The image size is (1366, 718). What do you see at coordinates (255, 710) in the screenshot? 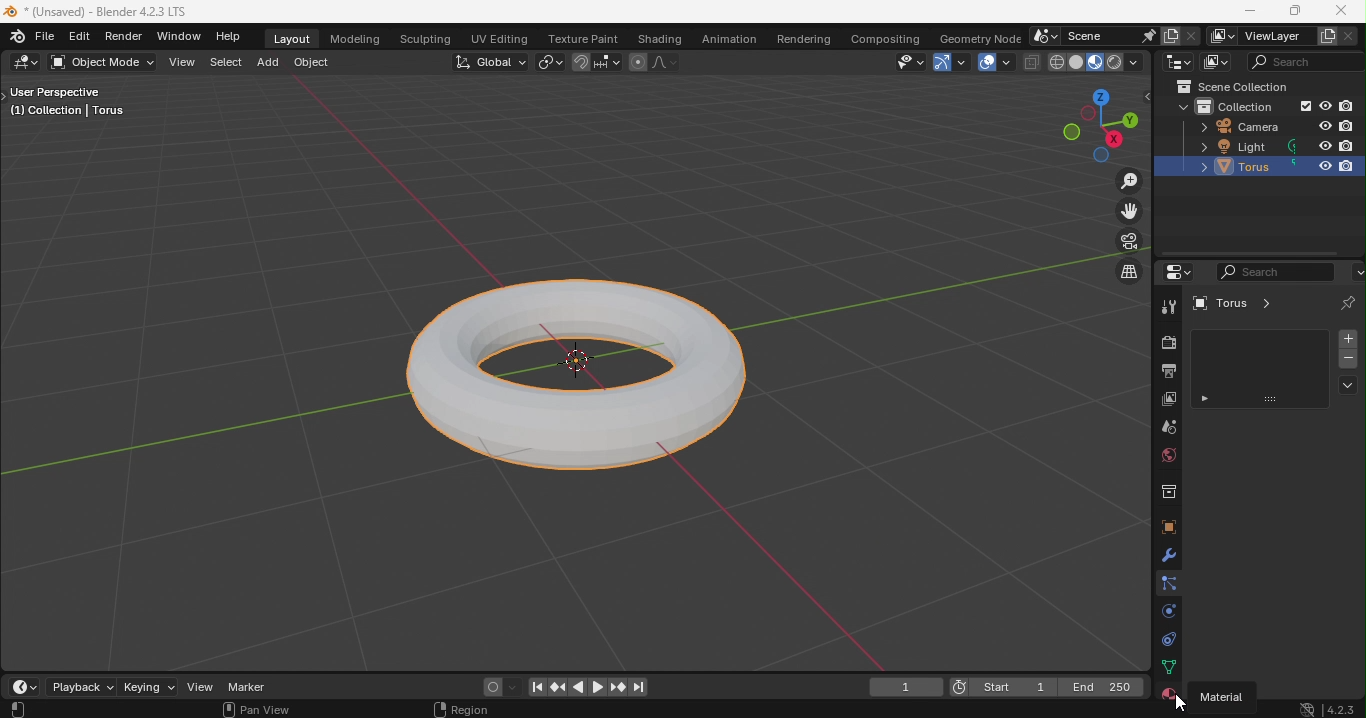
I see `Pan view` at bounding box center [255, 710].